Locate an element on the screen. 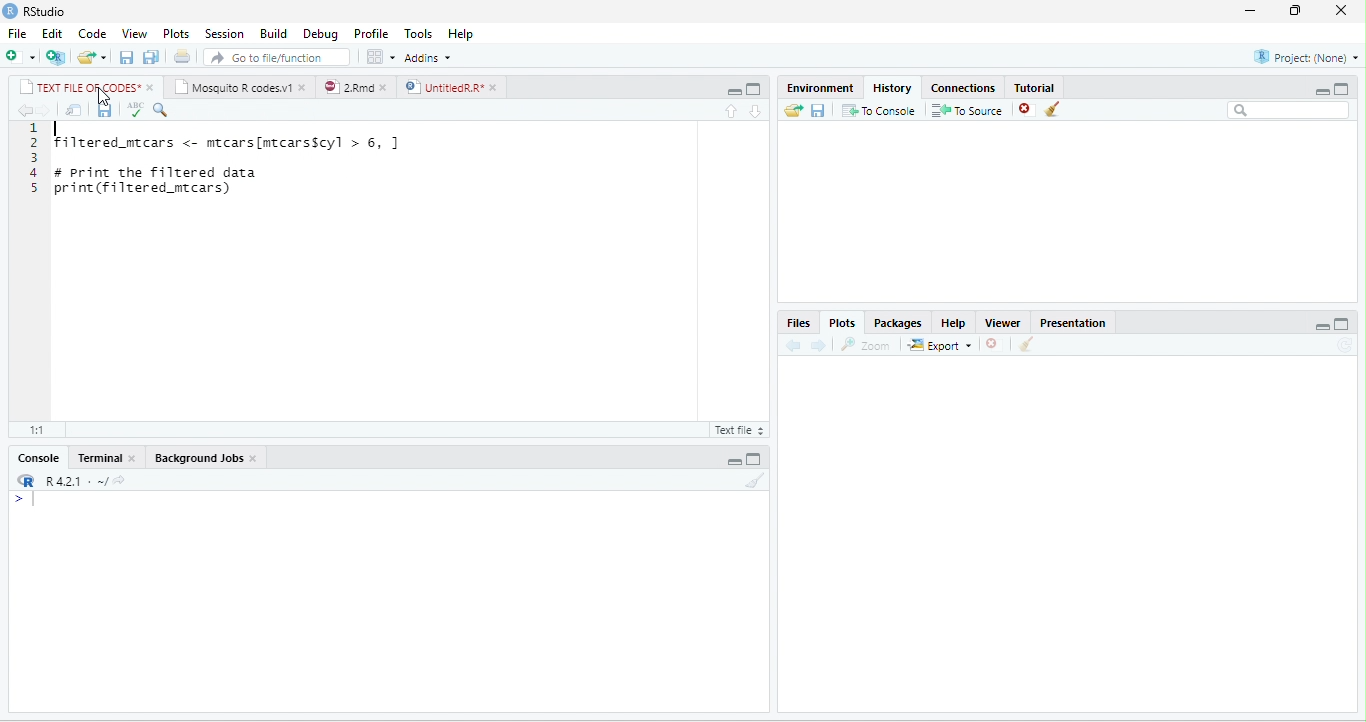 This screenshot has width=1366, height=722. search bar is located at coordinates (1288, 110).